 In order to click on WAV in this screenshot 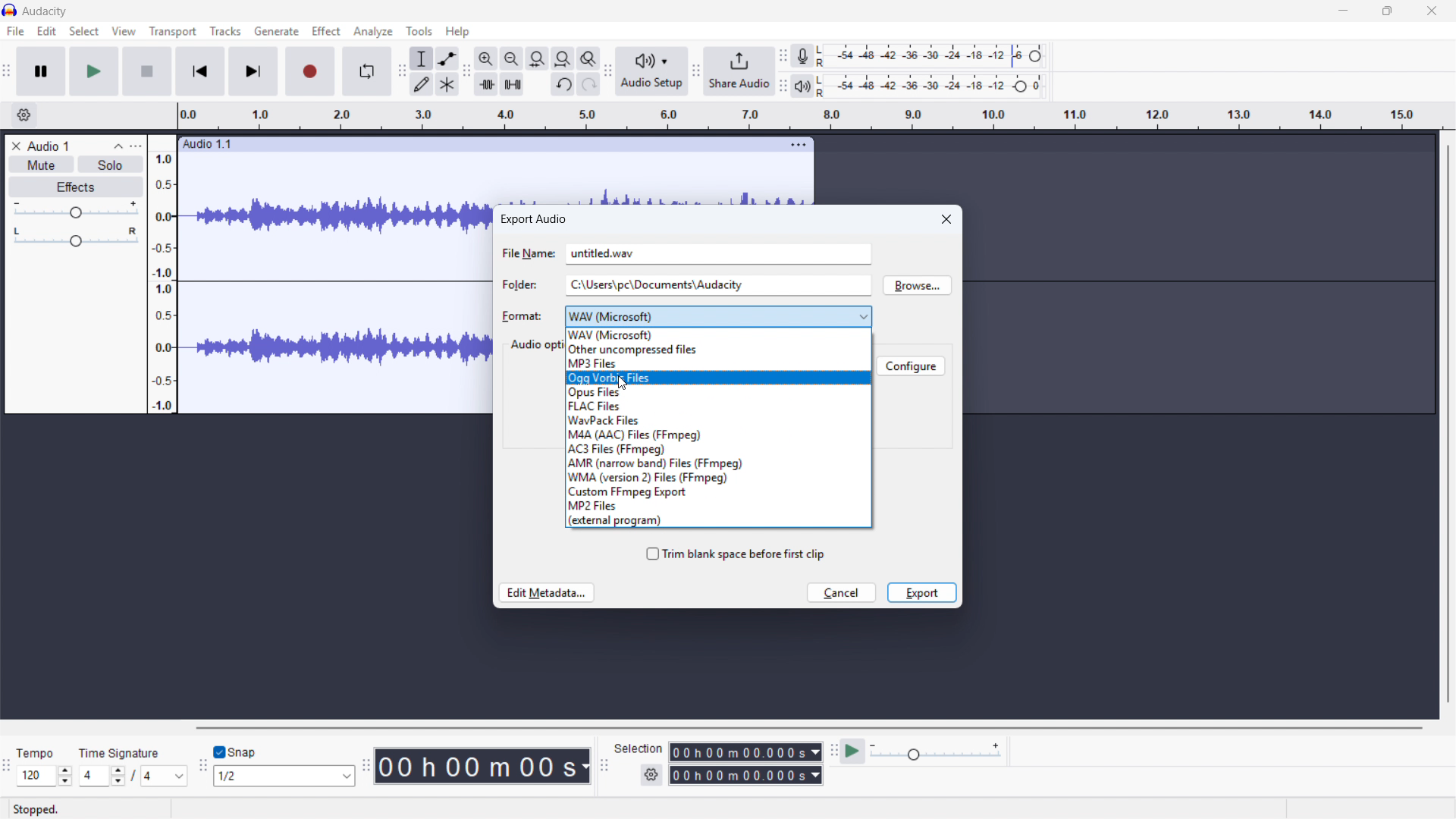, I will do `click(718, 334)`.